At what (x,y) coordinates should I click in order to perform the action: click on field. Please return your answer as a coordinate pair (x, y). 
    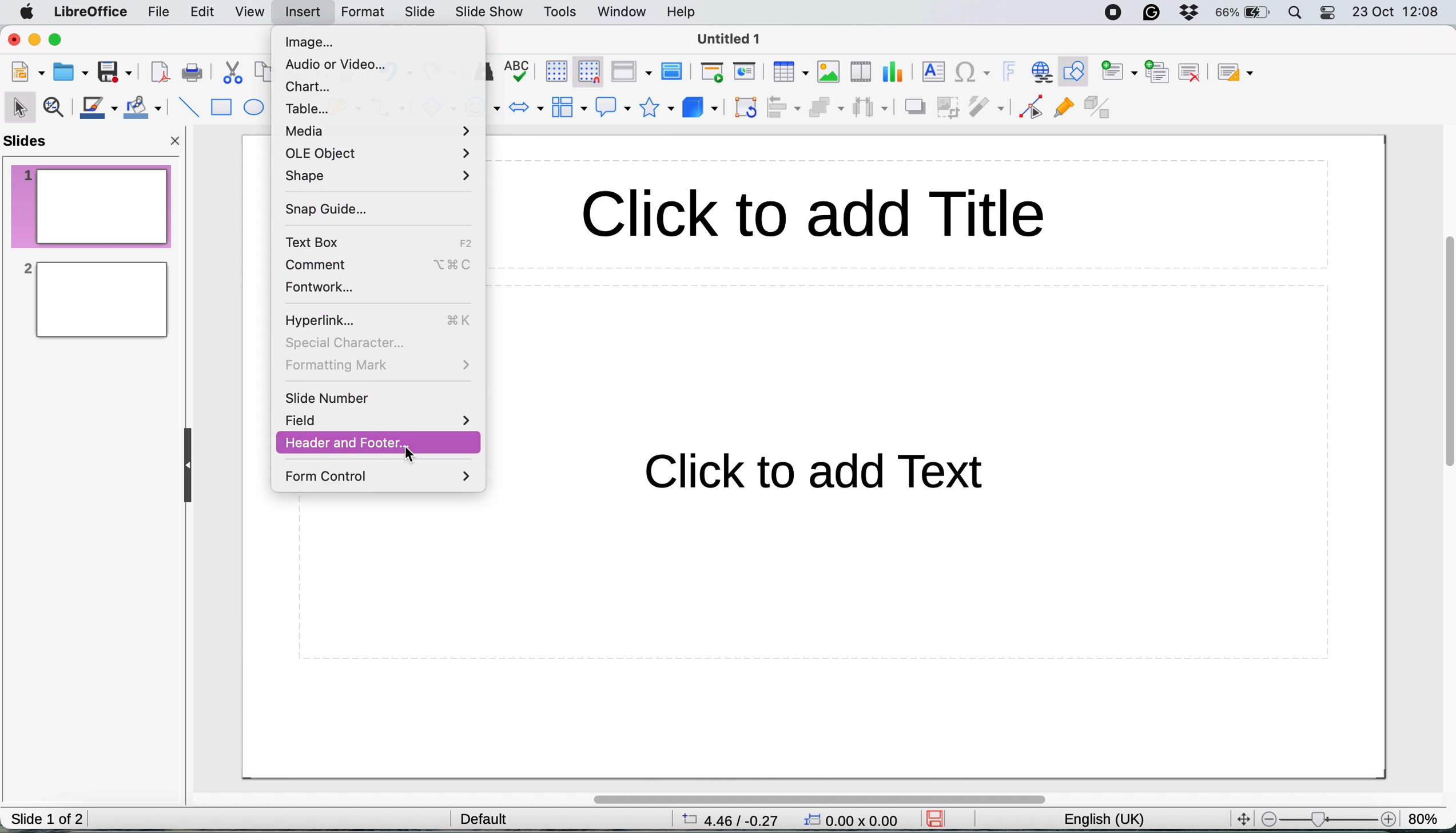
    Looking at the image, I should click on (379, 420).